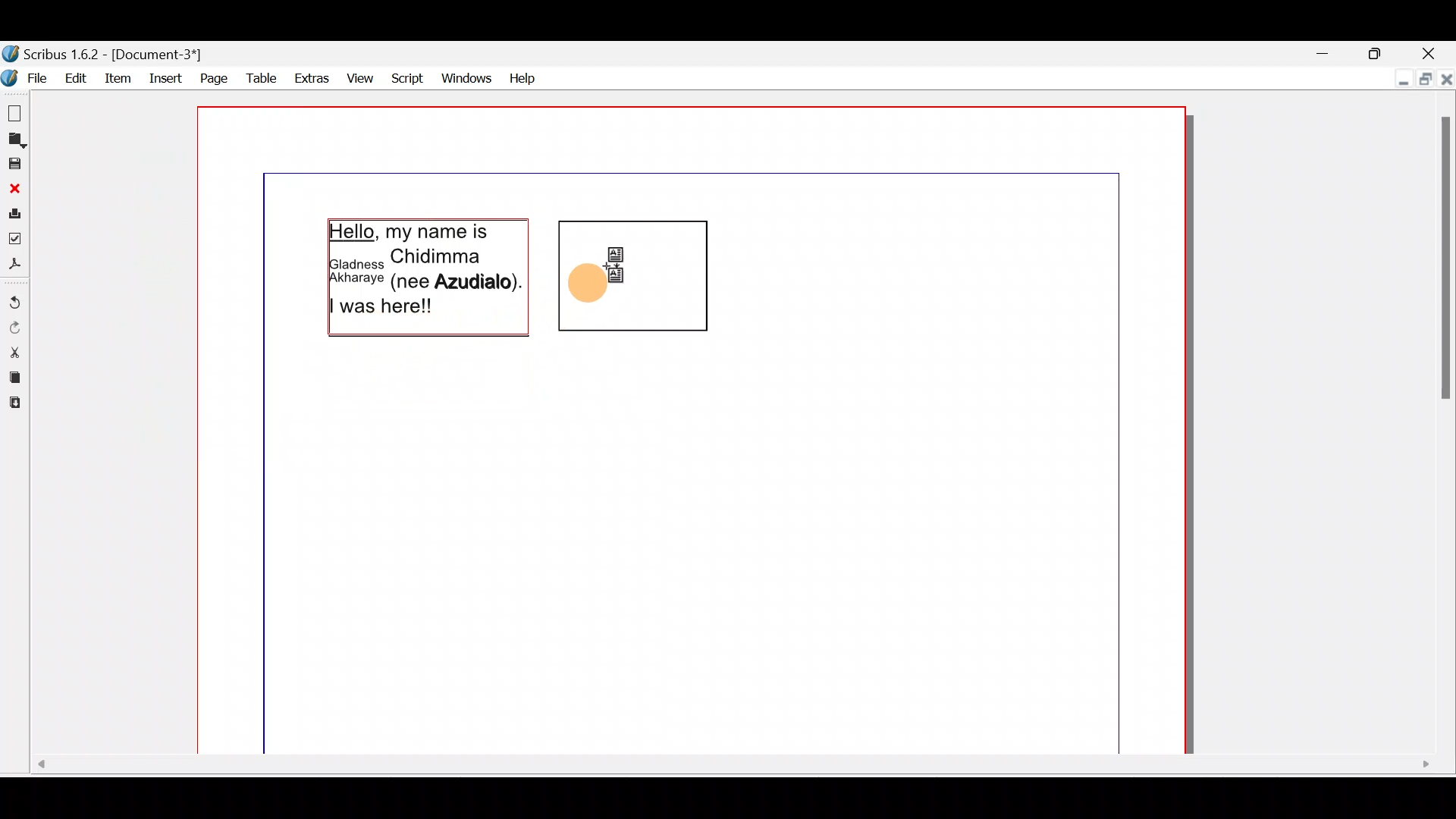 The height and width of the screenshot is (819, 1456). What do you see at coordinates (15, 406) in the screenshot?
I see `Paste` at bounding box center [15, 406].